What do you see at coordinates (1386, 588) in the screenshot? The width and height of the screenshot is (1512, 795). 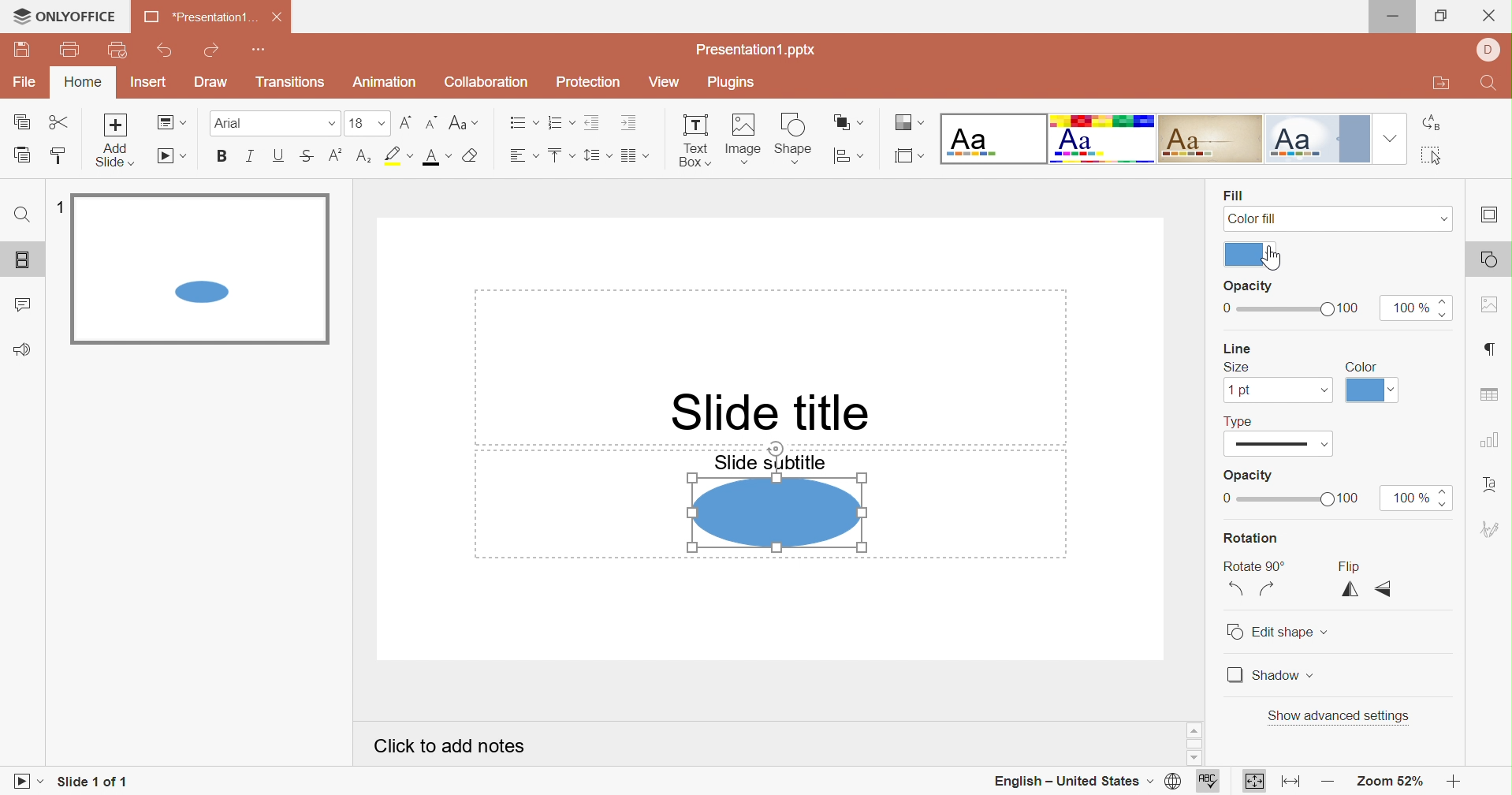 I see `Flip vertically` at bounding box center [1386, 588].